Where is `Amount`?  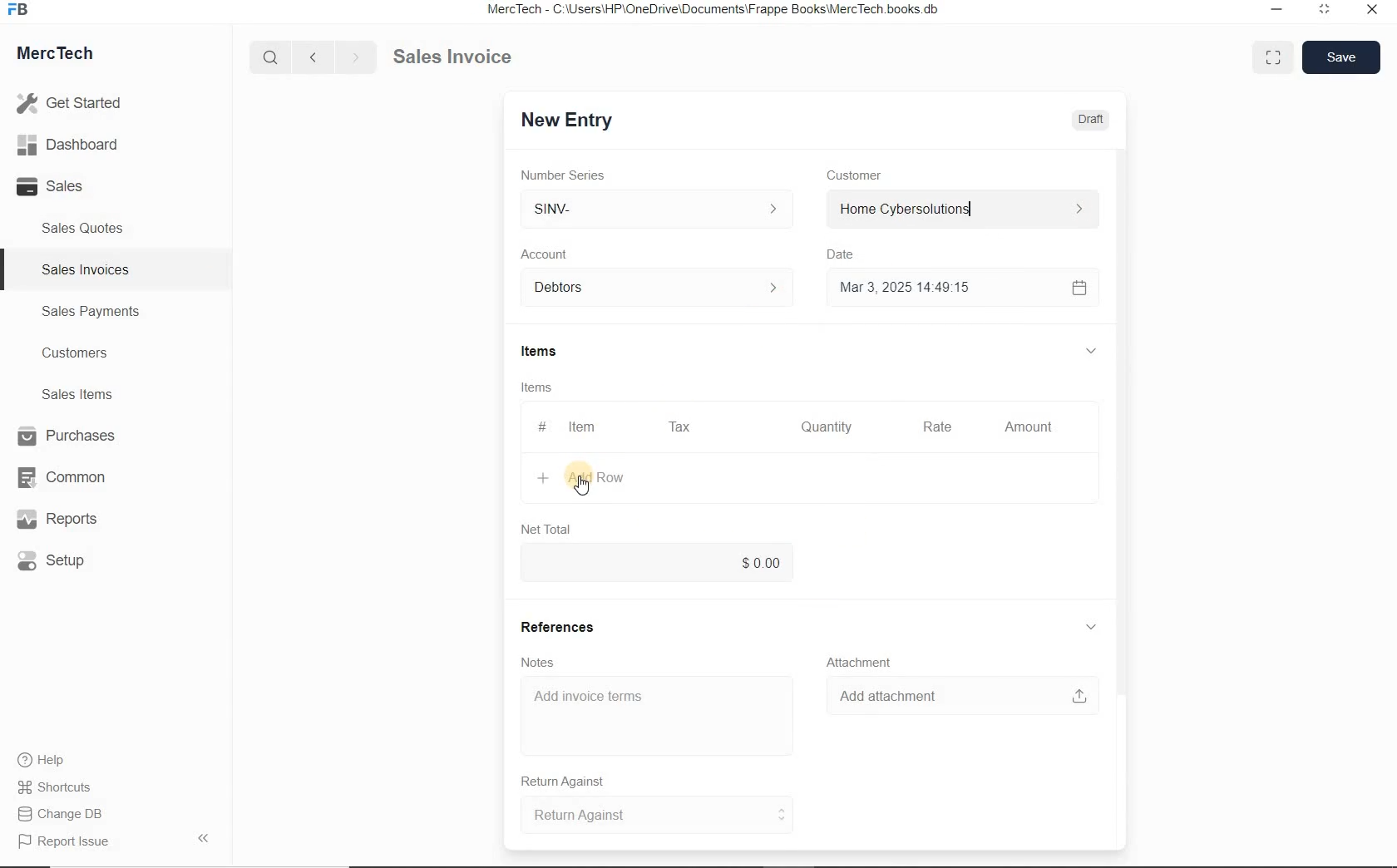
Amount is located at coordinates (1028, 428).